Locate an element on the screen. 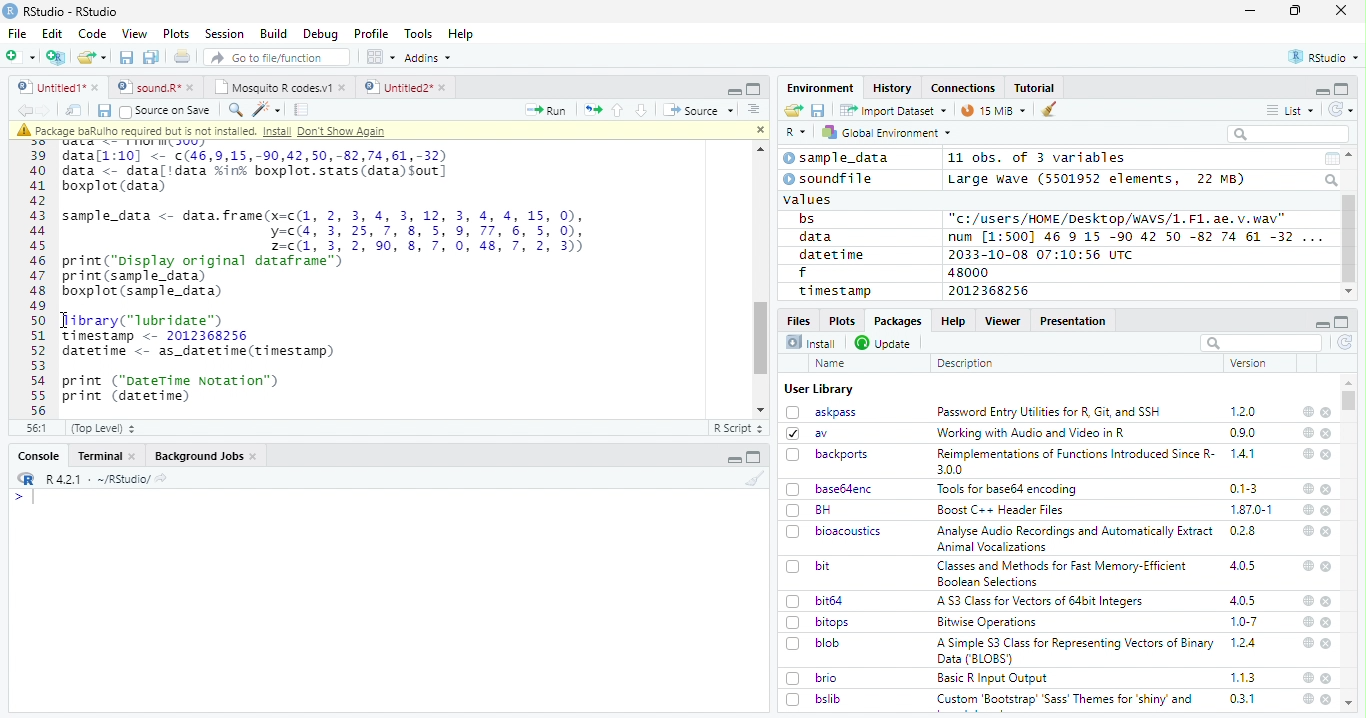  minimize is located at coordinates (733, 89).